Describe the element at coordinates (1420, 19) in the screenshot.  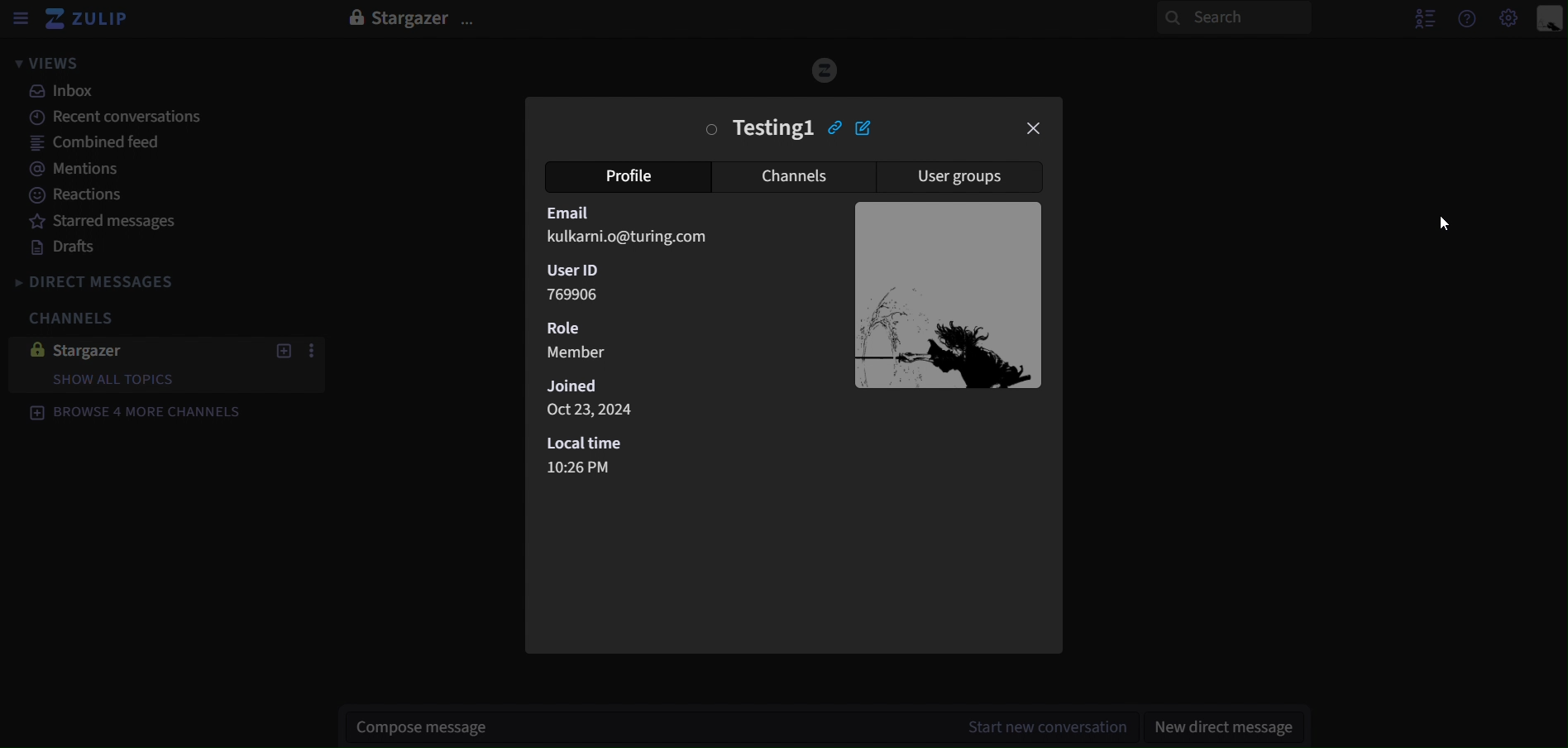
I see `hide user list` at that location.